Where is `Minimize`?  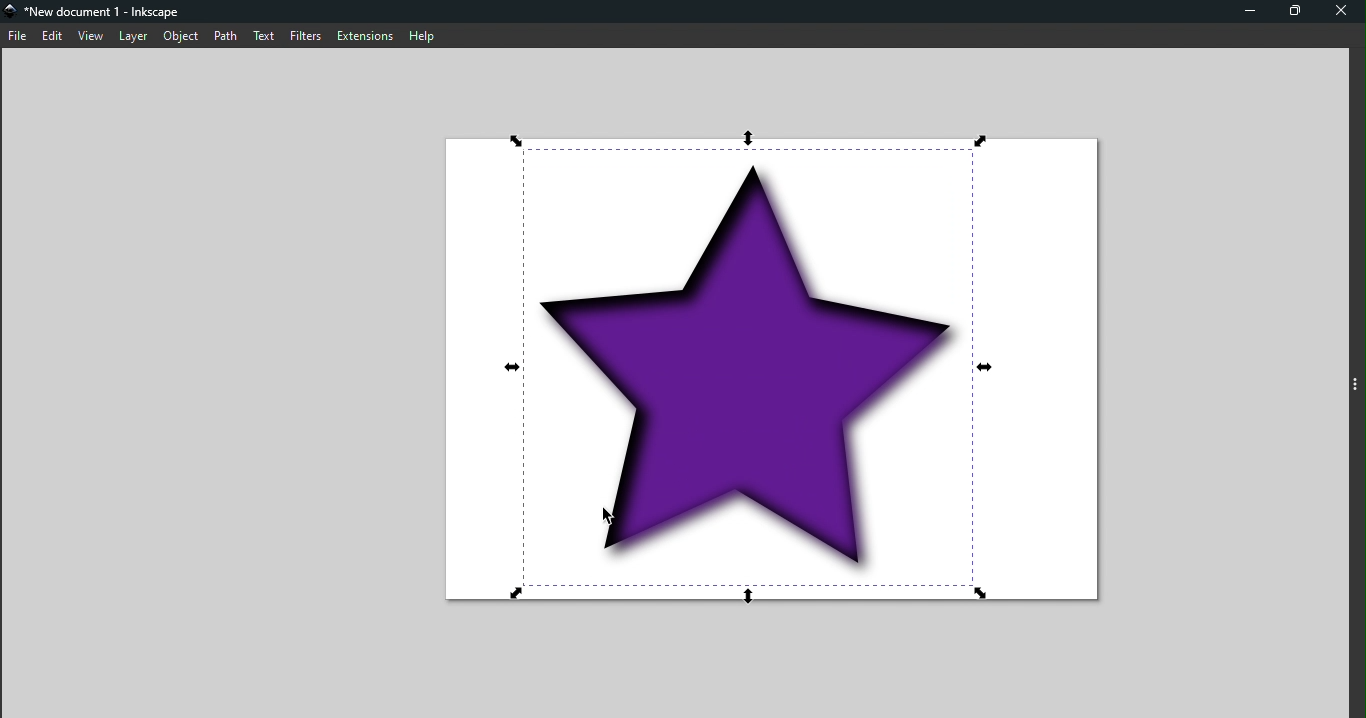
Minimize is located at coordinates (1243, 11).